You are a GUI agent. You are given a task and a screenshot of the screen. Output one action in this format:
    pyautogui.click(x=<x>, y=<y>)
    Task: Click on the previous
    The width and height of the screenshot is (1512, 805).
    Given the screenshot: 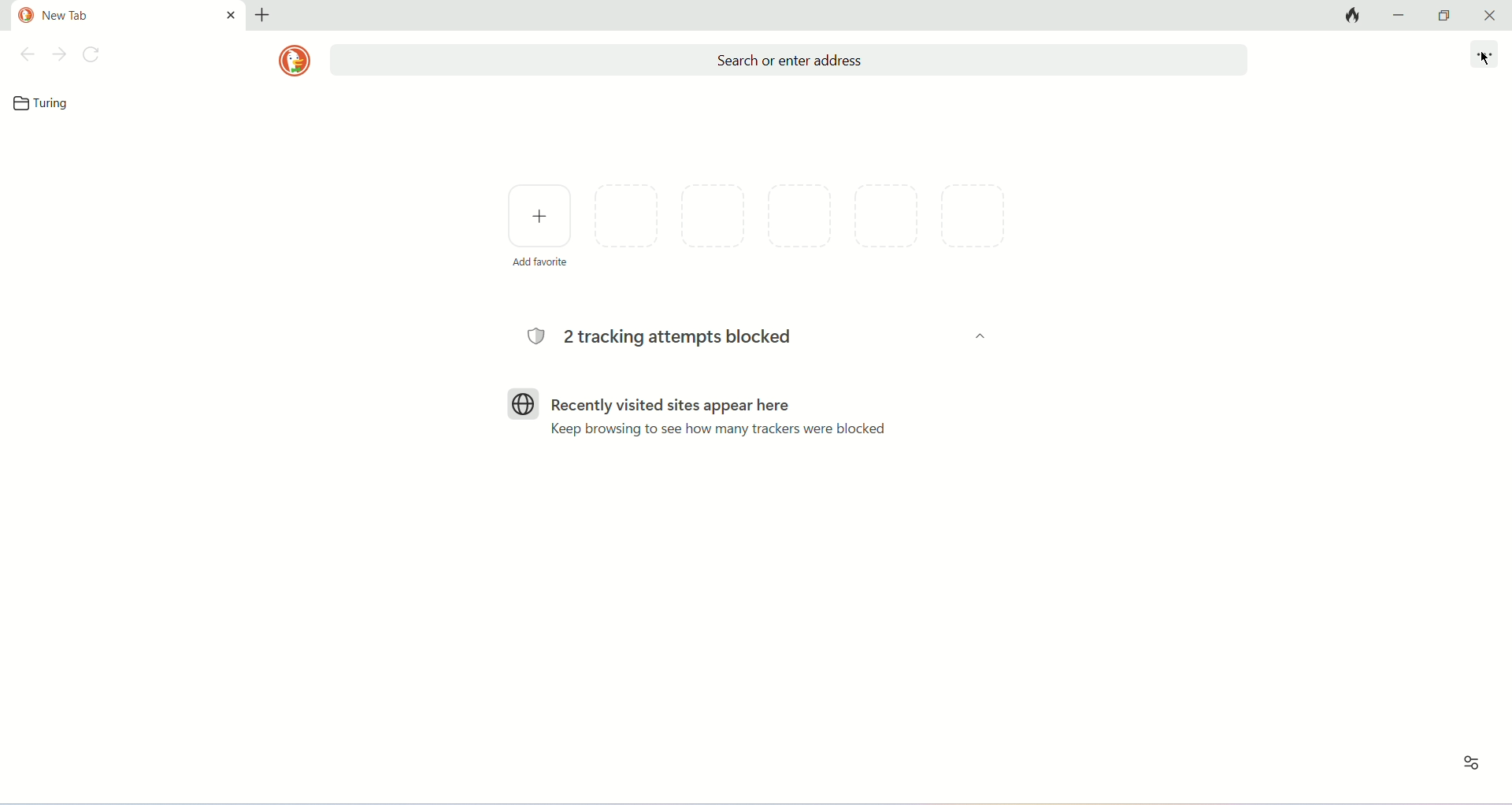 What is the action you would take?
    pyautogui.click(x=27, y=54)
    